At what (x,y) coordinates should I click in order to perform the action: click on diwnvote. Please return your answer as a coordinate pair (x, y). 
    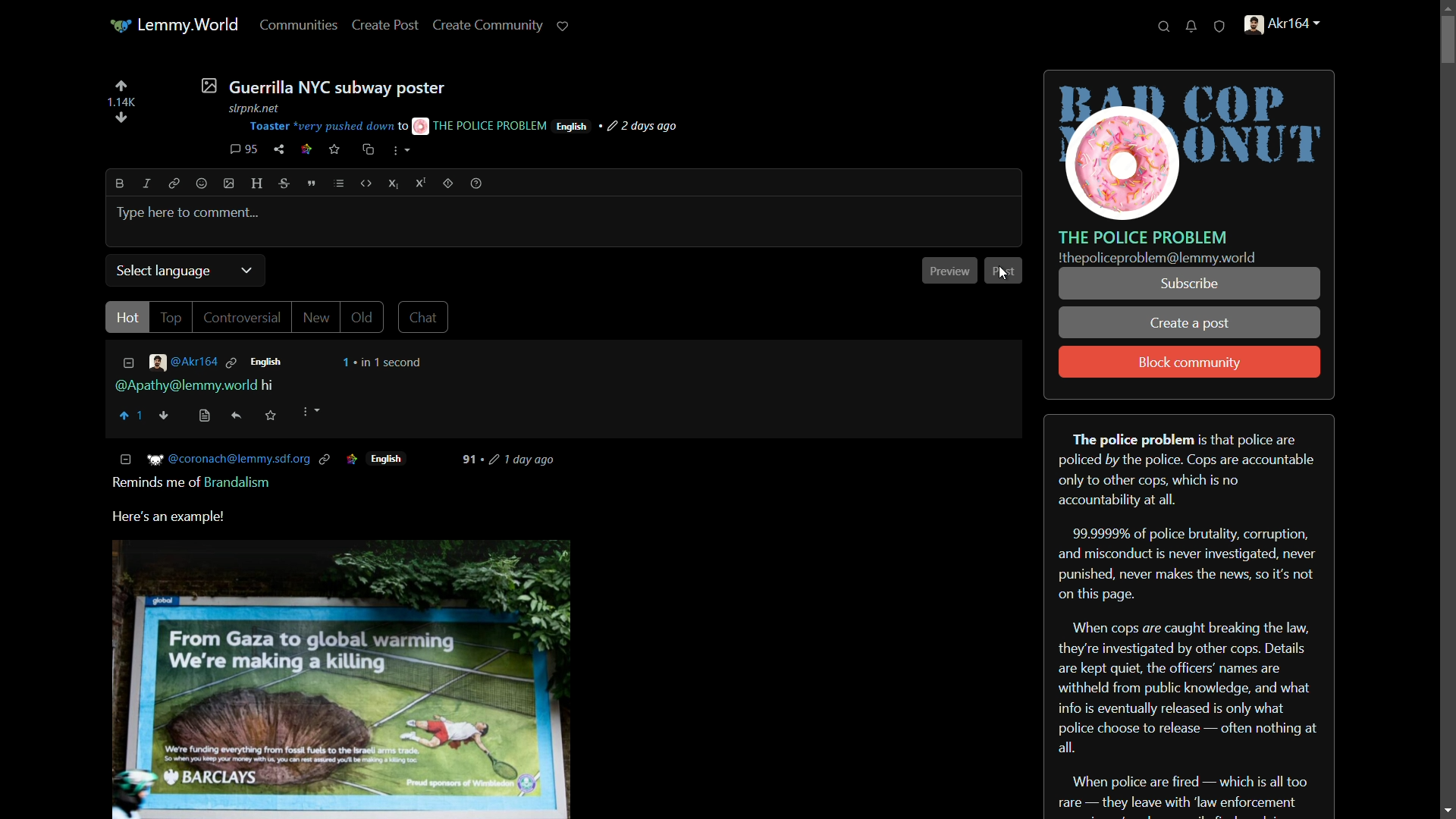
    Looking at the image, I should click on (121, 119).